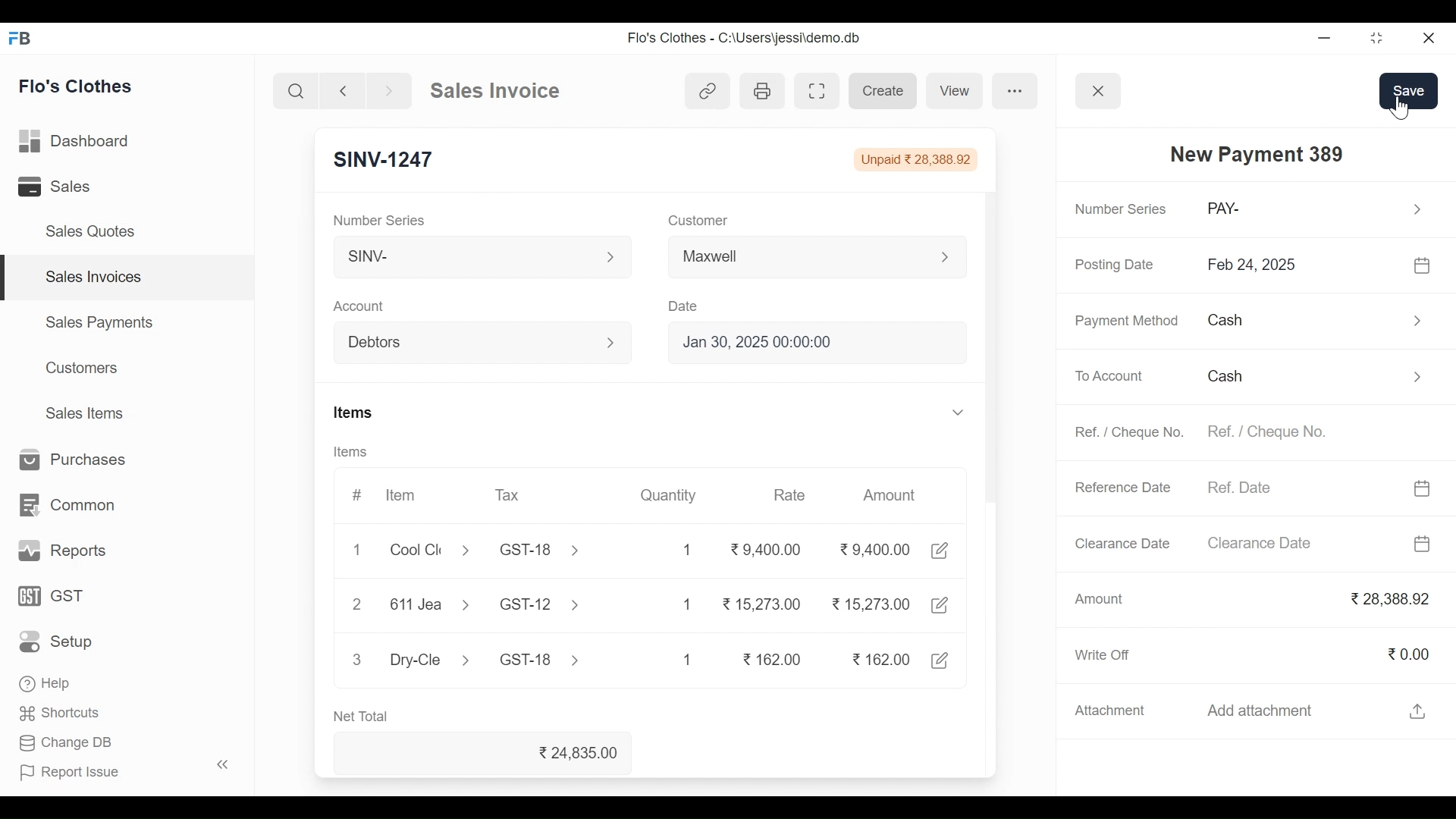 Image resolution: width=1456 pixels, height=819 pixels. What do you see at coordinates (1377, 39) in the screenshot?
I see `Restore` at bounding box center [1377, 39].